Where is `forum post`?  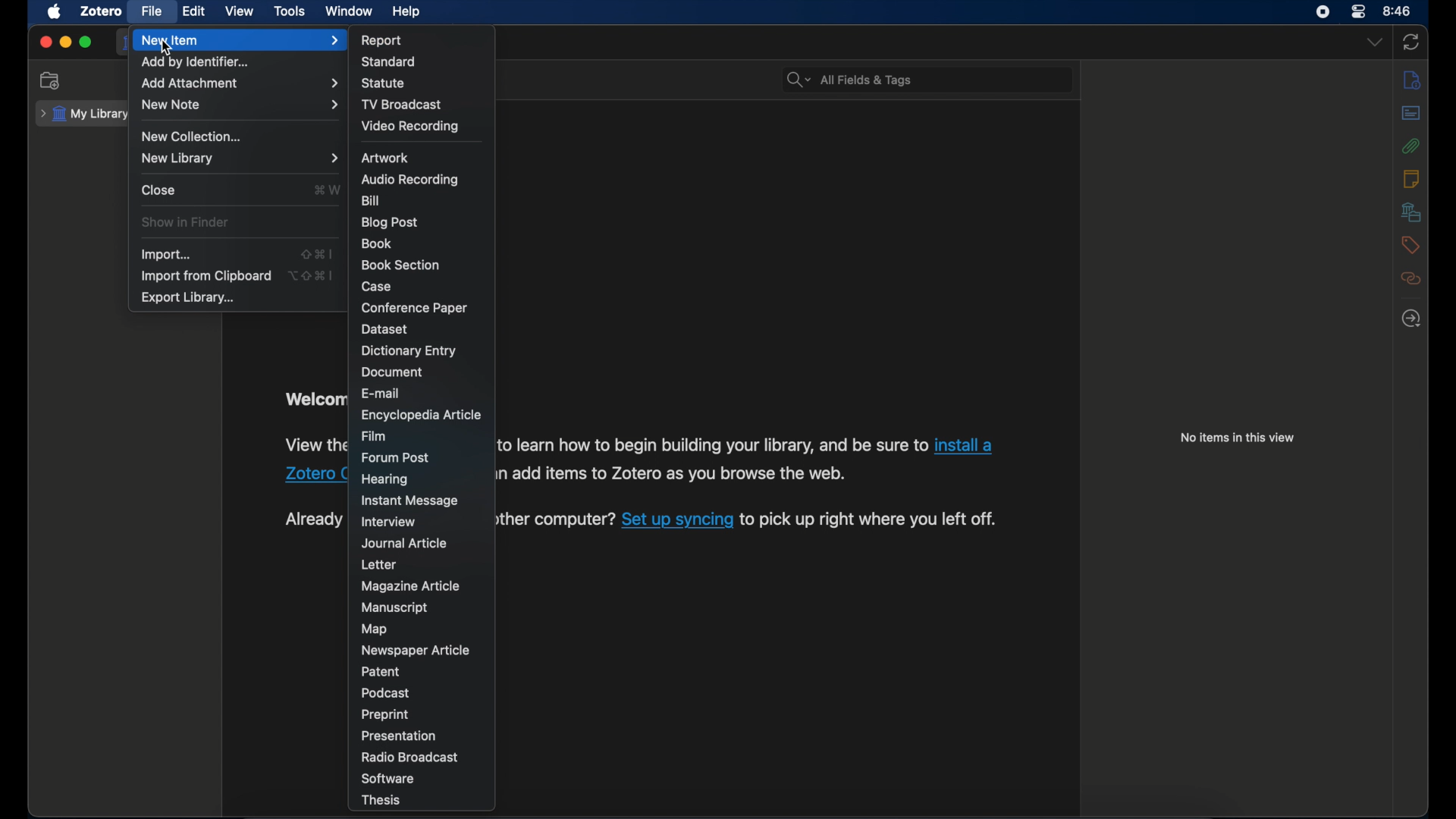 forum post is located at coordinates (397, 457).